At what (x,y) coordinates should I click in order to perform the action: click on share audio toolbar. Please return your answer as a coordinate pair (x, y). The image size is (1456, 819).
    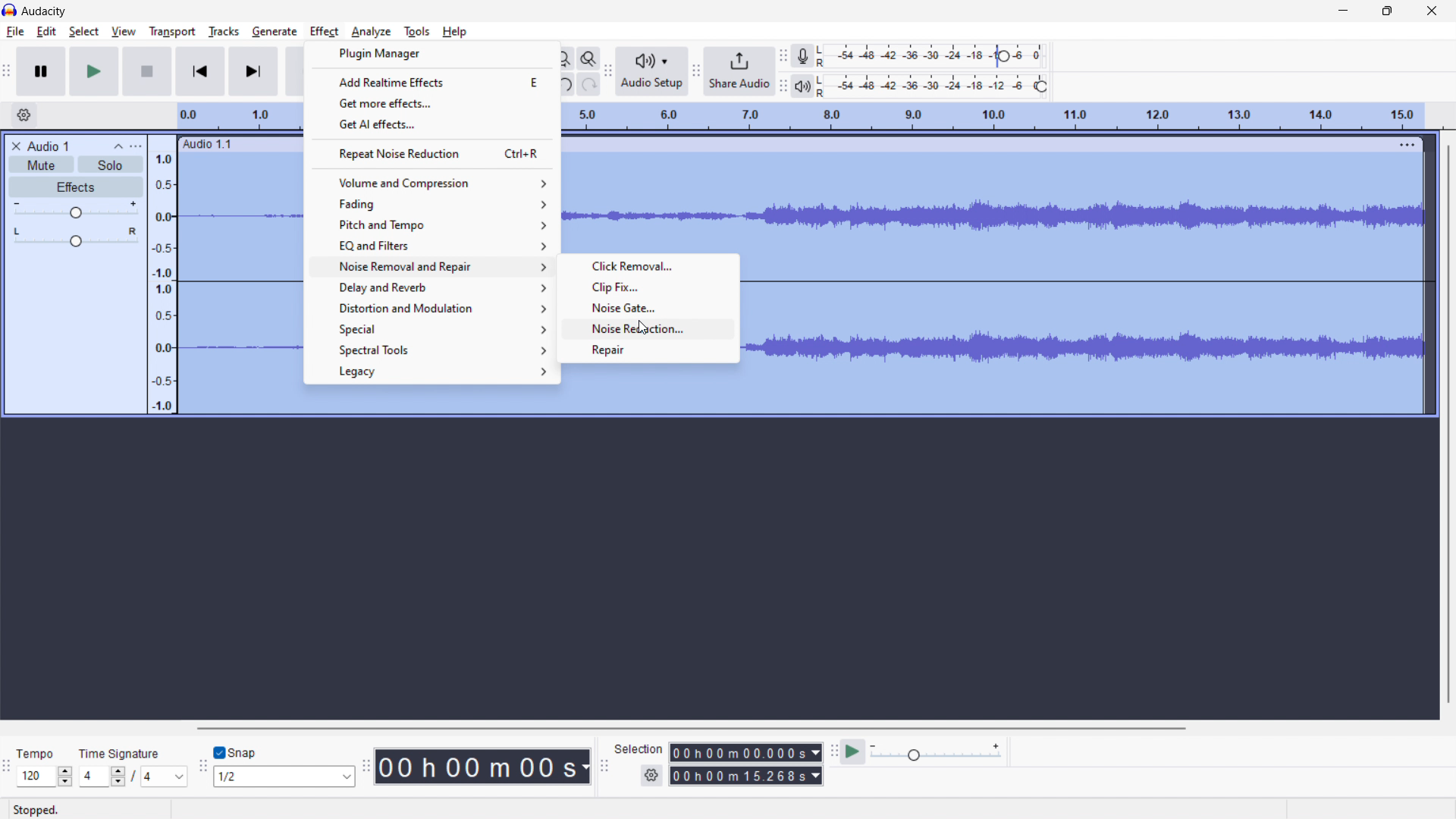
    Looking at the image, I should click on (695, 70).